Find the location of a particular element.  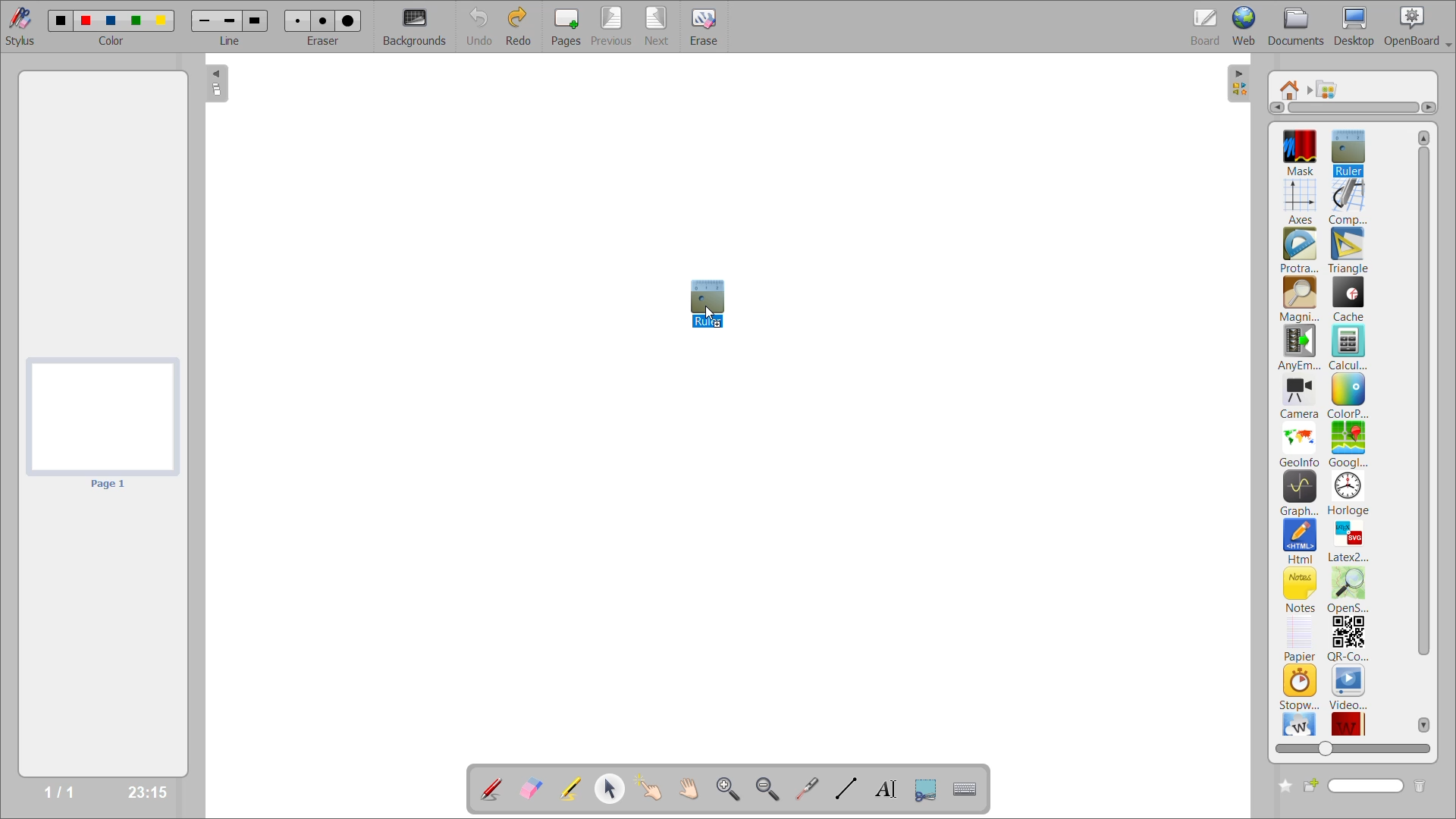

stylus is located at coordinates (17, 24).